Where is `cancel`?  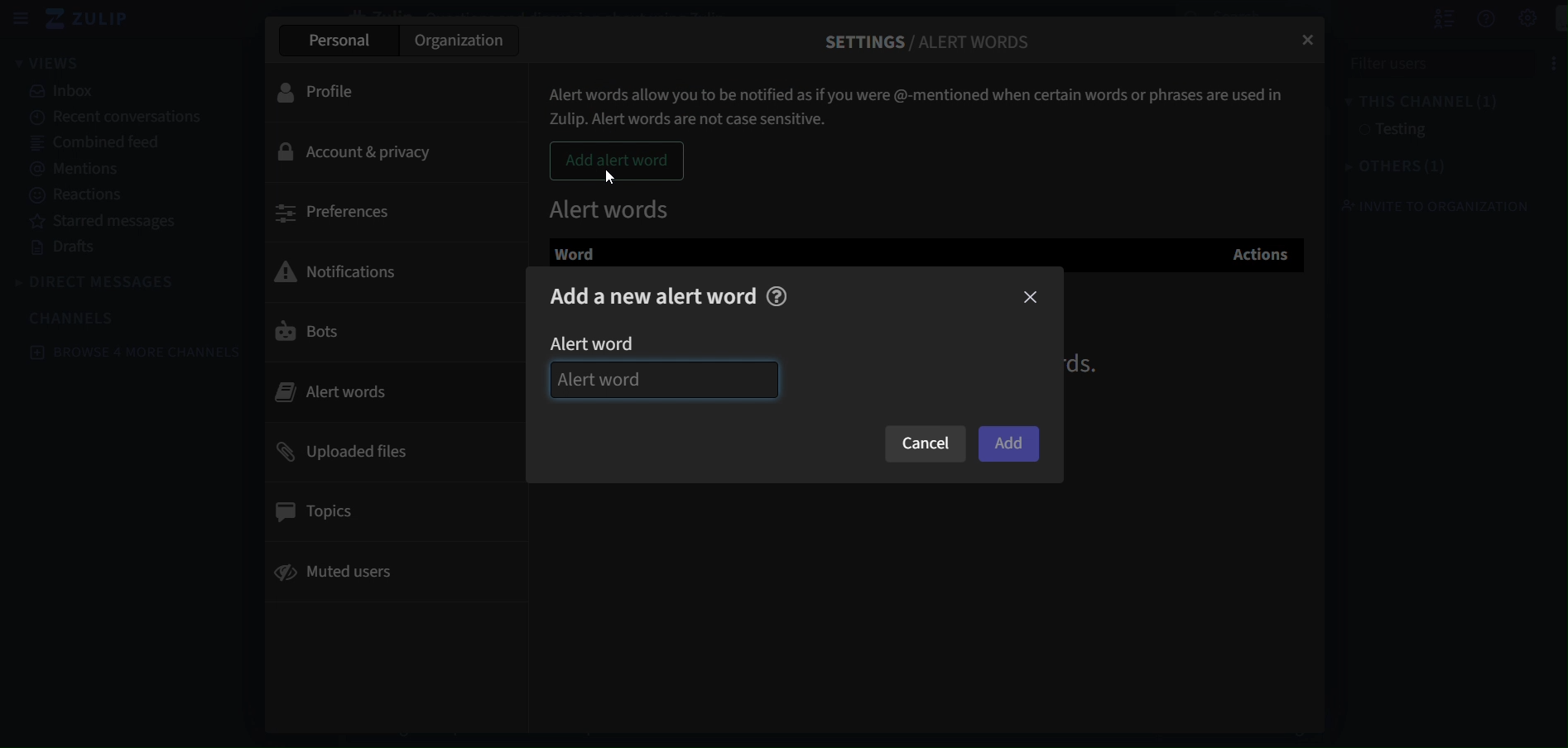 cancel is located at coordinates (925, 444).